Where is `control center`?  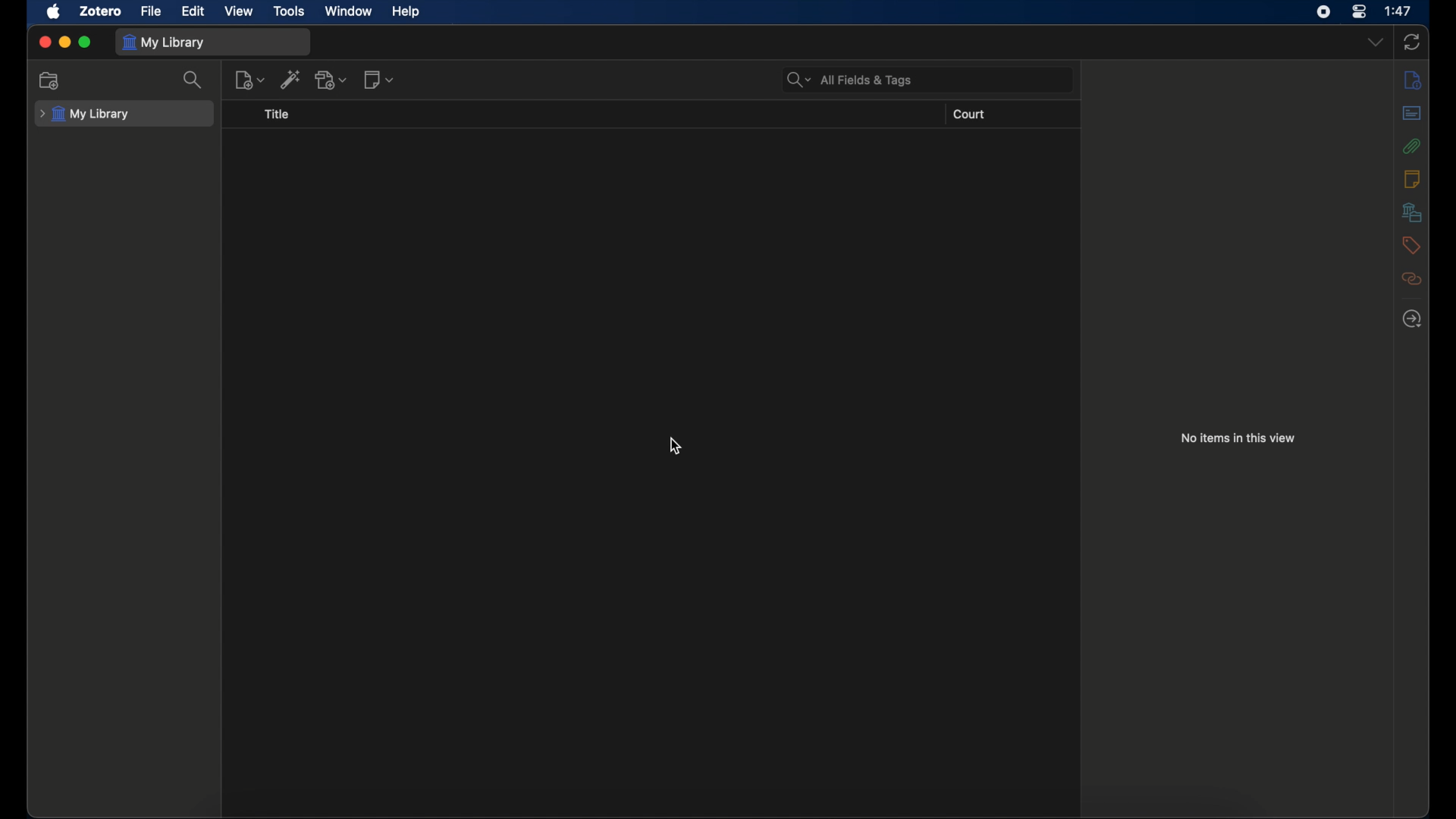
control center is located at coordinates (1359, 11).